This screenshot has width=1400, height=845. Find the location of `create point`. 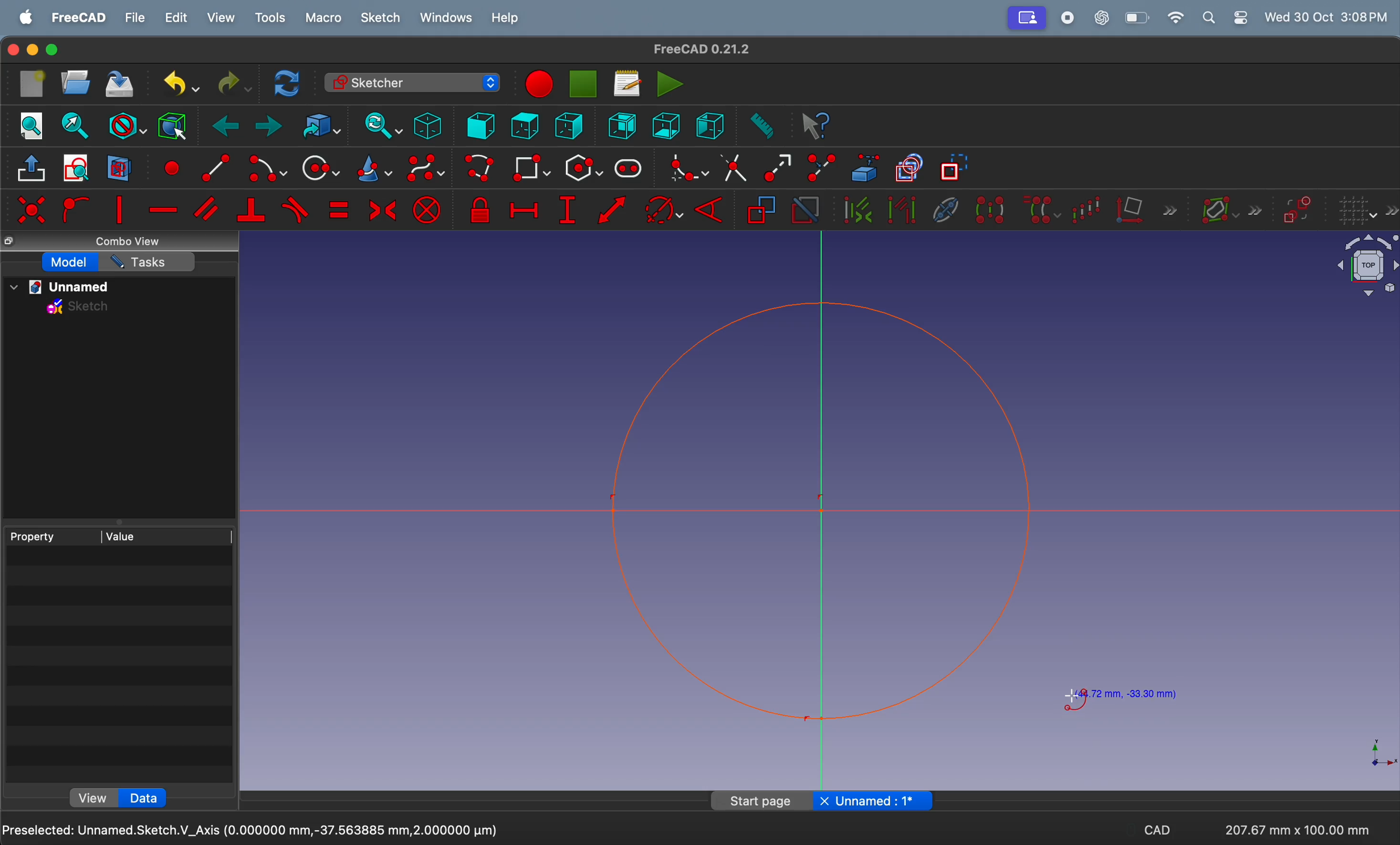

create point is located at coordinates (170, 166).